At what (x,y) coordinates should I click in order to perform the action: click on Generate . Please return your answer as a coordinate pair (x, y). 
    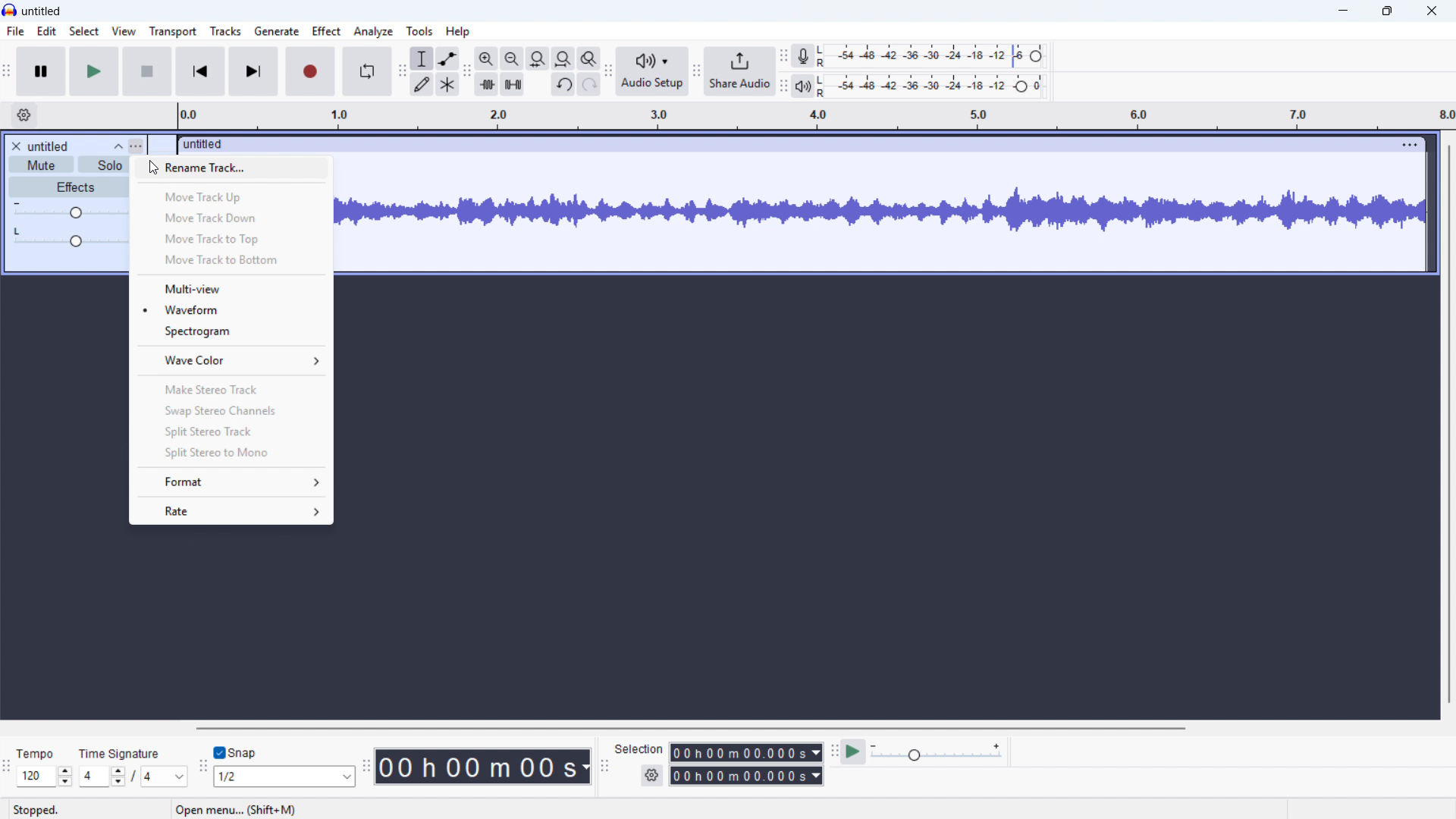
    Looking at the image, I should click on (276, 31).